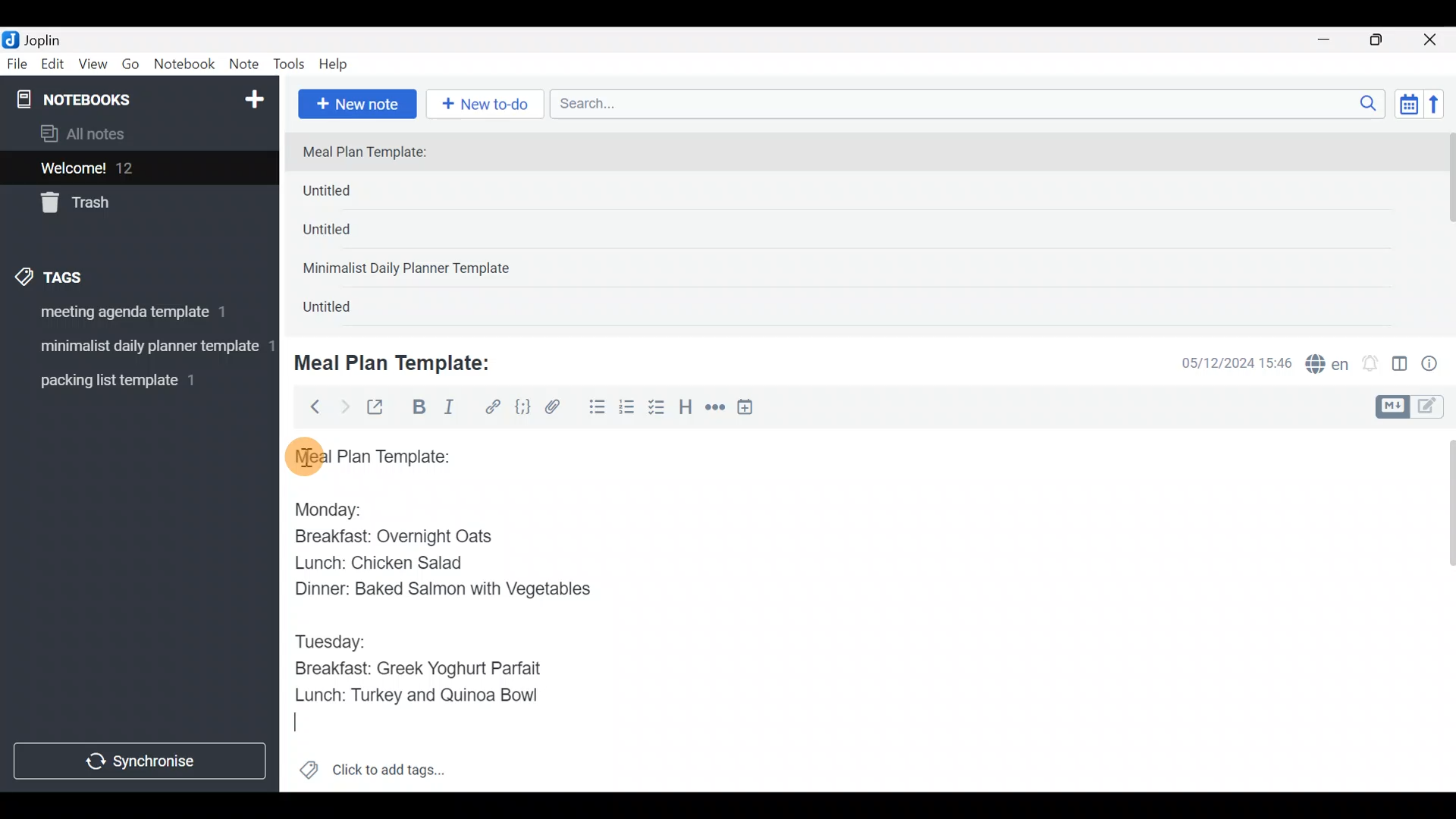 The width and height of the screenshot is (1456, 819). Describe the element at coordinates (134, 380) in the screenshot. I see `Tag 3` at that location.